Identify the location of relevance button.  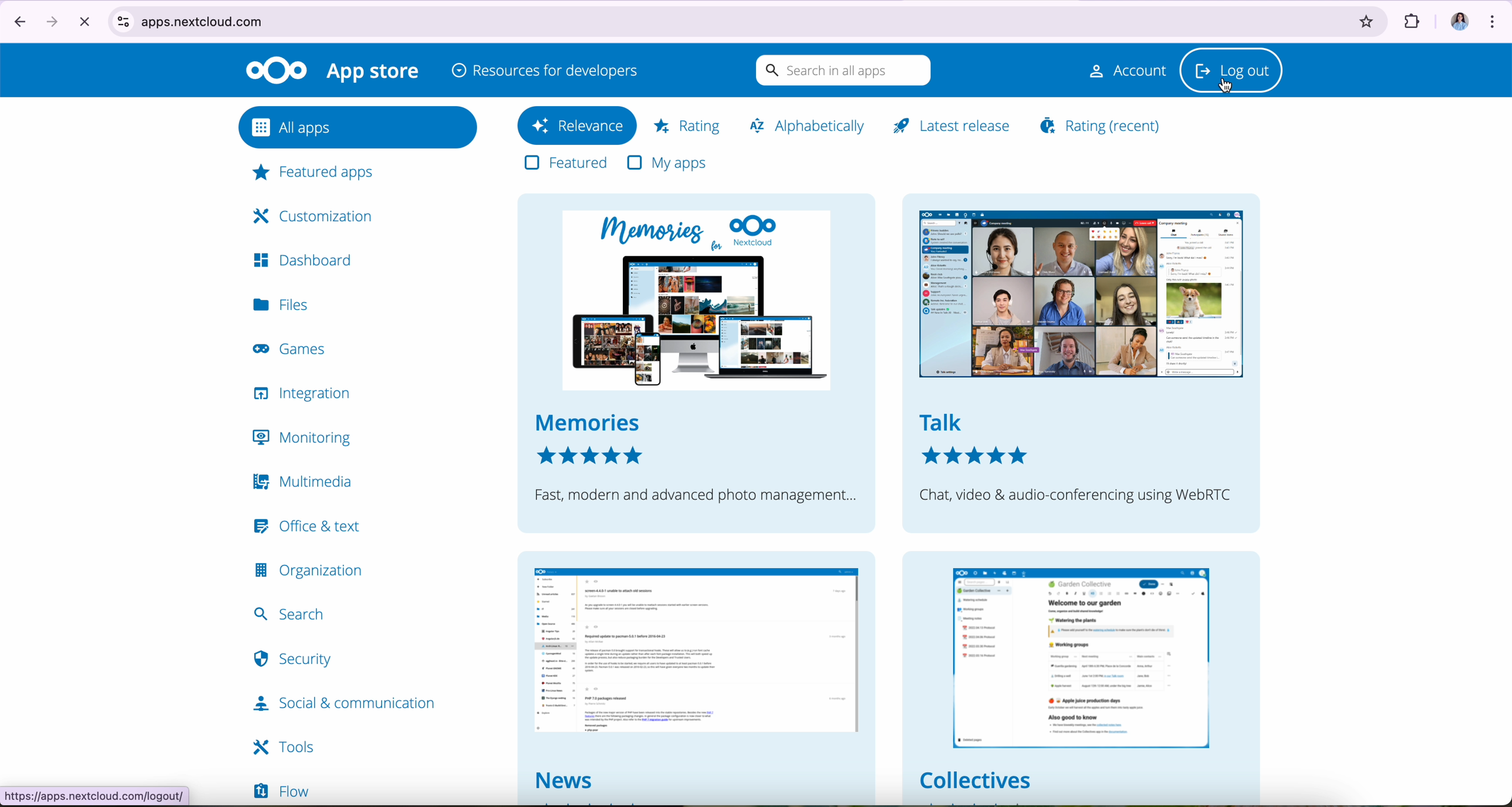
(579, 124).